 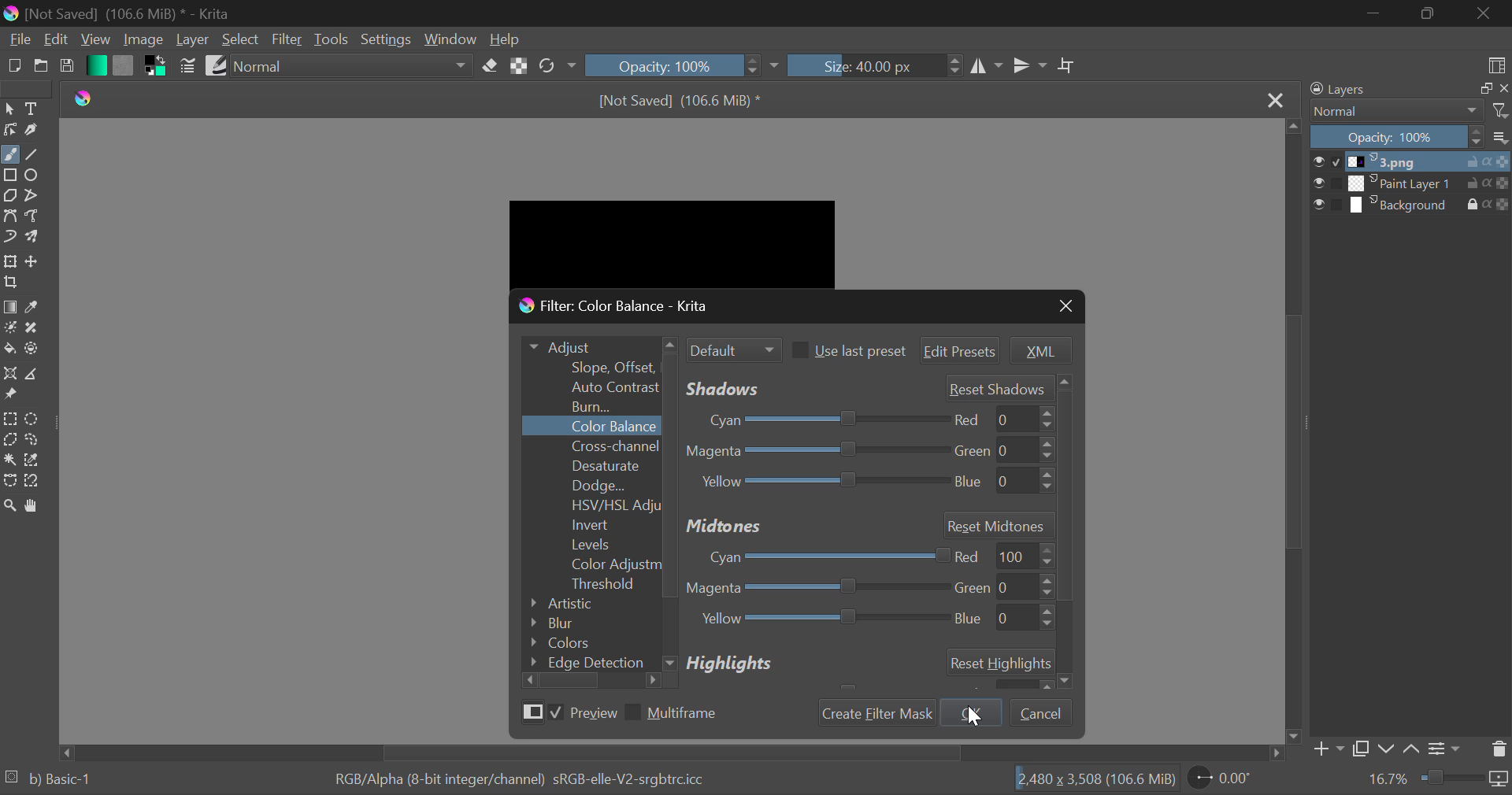 I want to click on Settings, so click(x=387, y=39).